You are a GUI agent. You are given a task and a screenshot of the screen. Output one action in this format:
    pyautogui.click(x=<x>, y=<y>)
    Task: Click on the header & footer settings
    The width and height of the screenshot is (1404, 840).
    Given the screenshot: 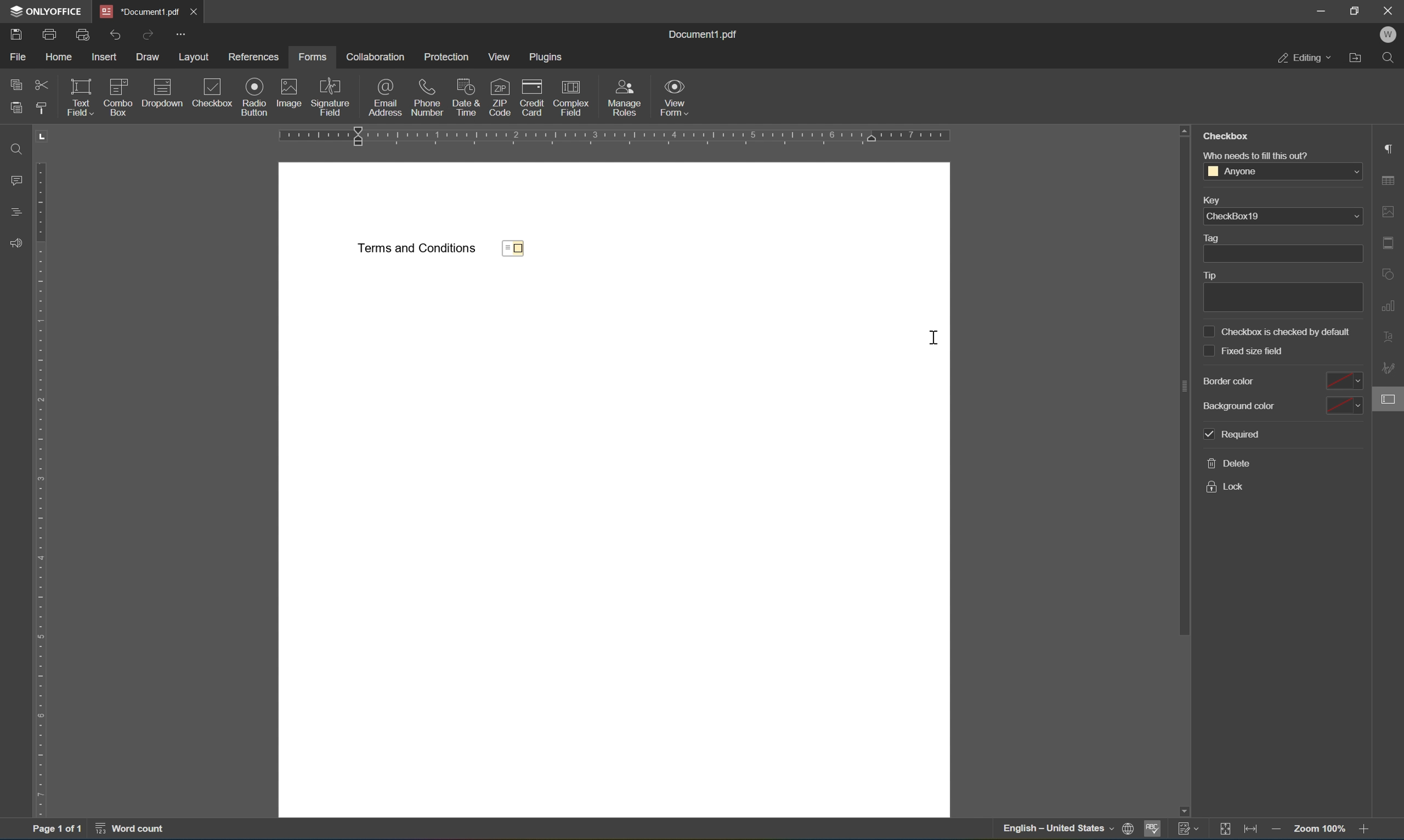 What is the action you would take?
    pyautogui.click(x=1391, y=245)
    